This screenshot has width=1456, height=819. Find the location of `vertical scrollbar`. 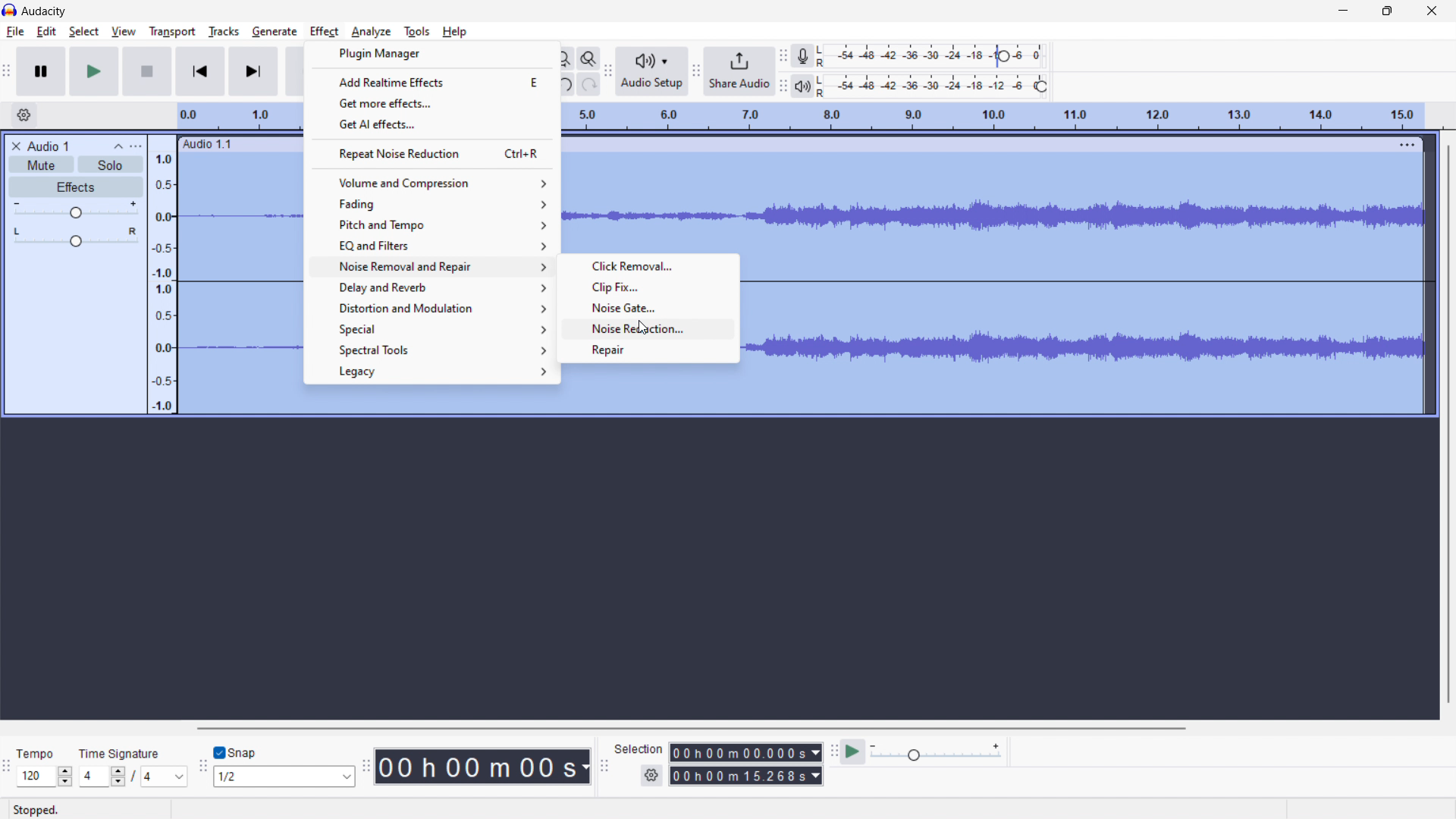

vertical scrollbar is located at coordinates (1451, 424).